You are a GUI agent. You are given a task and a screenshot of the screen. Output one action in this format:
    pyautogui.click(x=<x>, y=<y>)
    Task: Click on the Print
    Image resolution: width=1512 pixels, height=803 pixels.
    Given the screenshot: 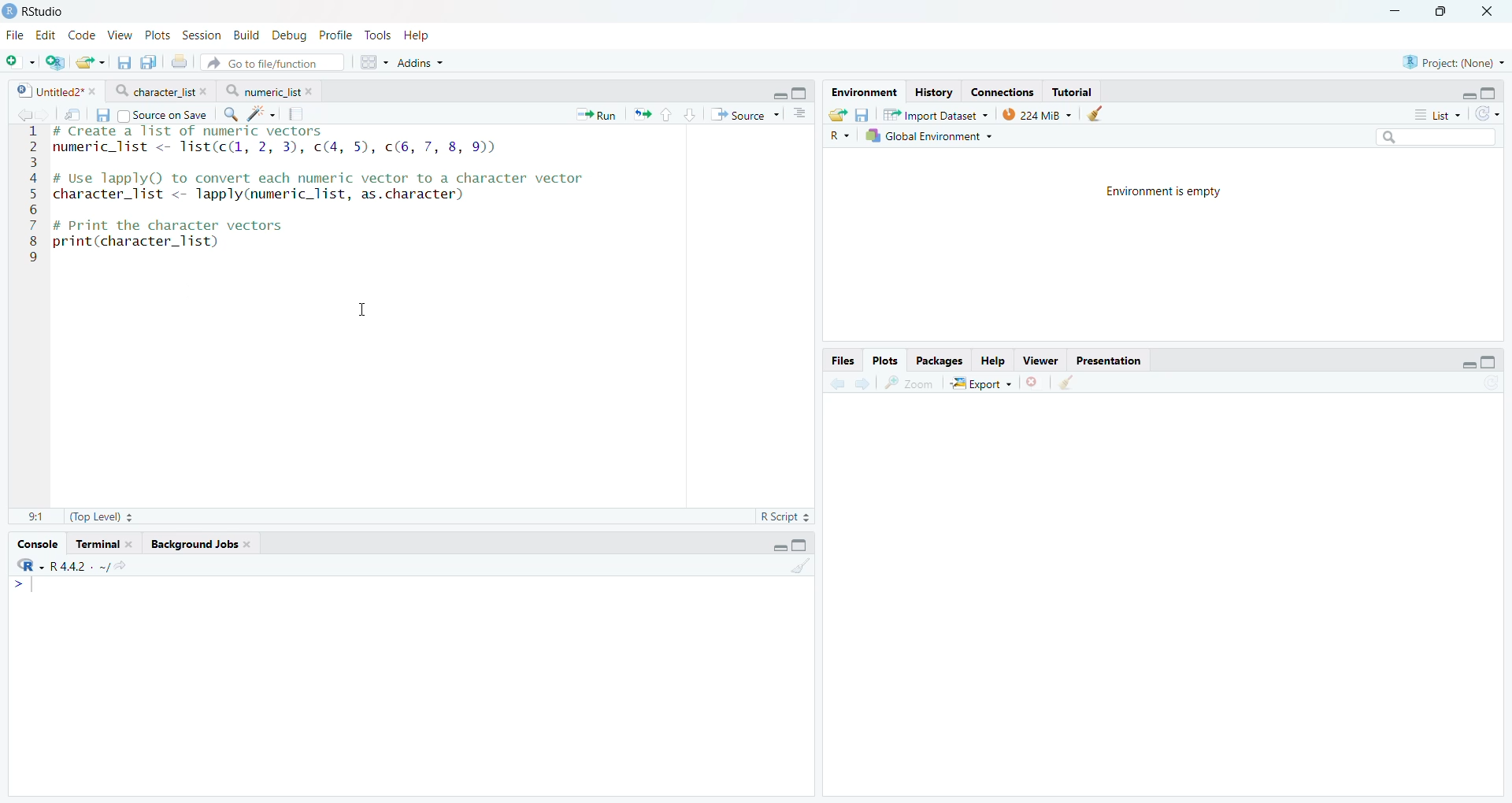 What is the action you would take?
    pyautogui.click(x=179, y=61)
    